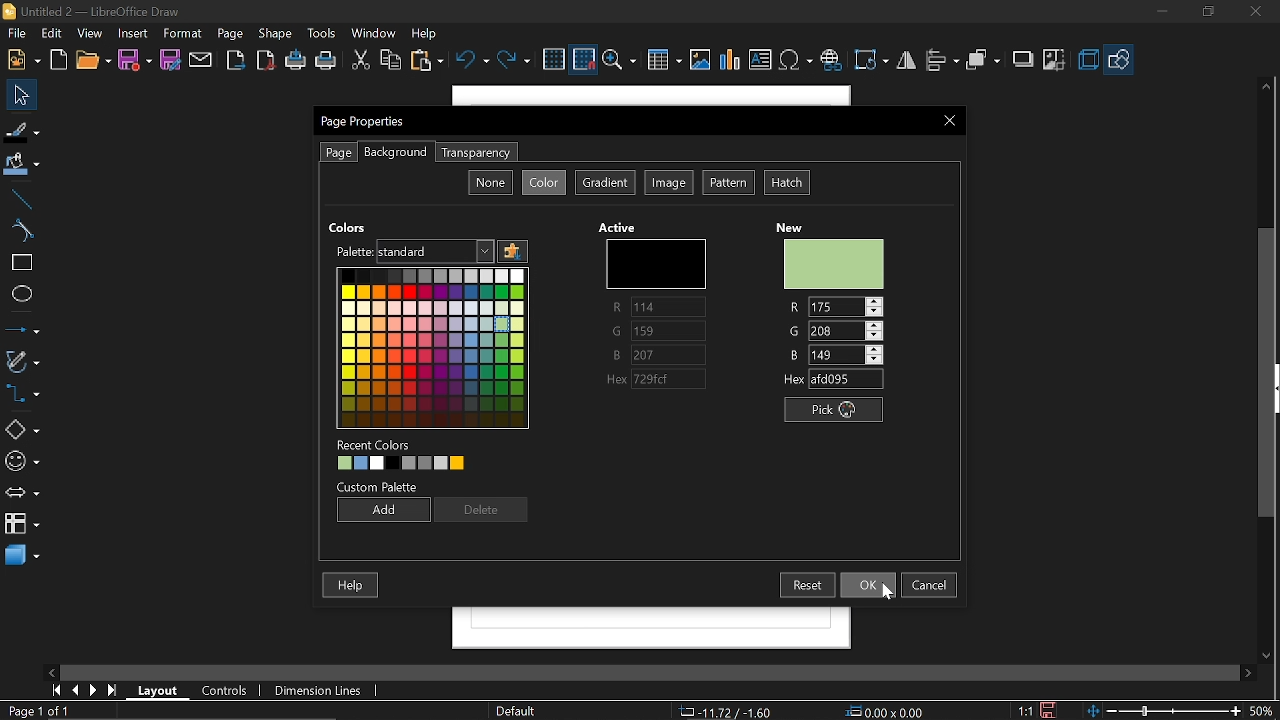 The image size is (1280, 720). Describe the element at coordinates (314, 688) in the screenshot. I see `Dimension lines` at that location.